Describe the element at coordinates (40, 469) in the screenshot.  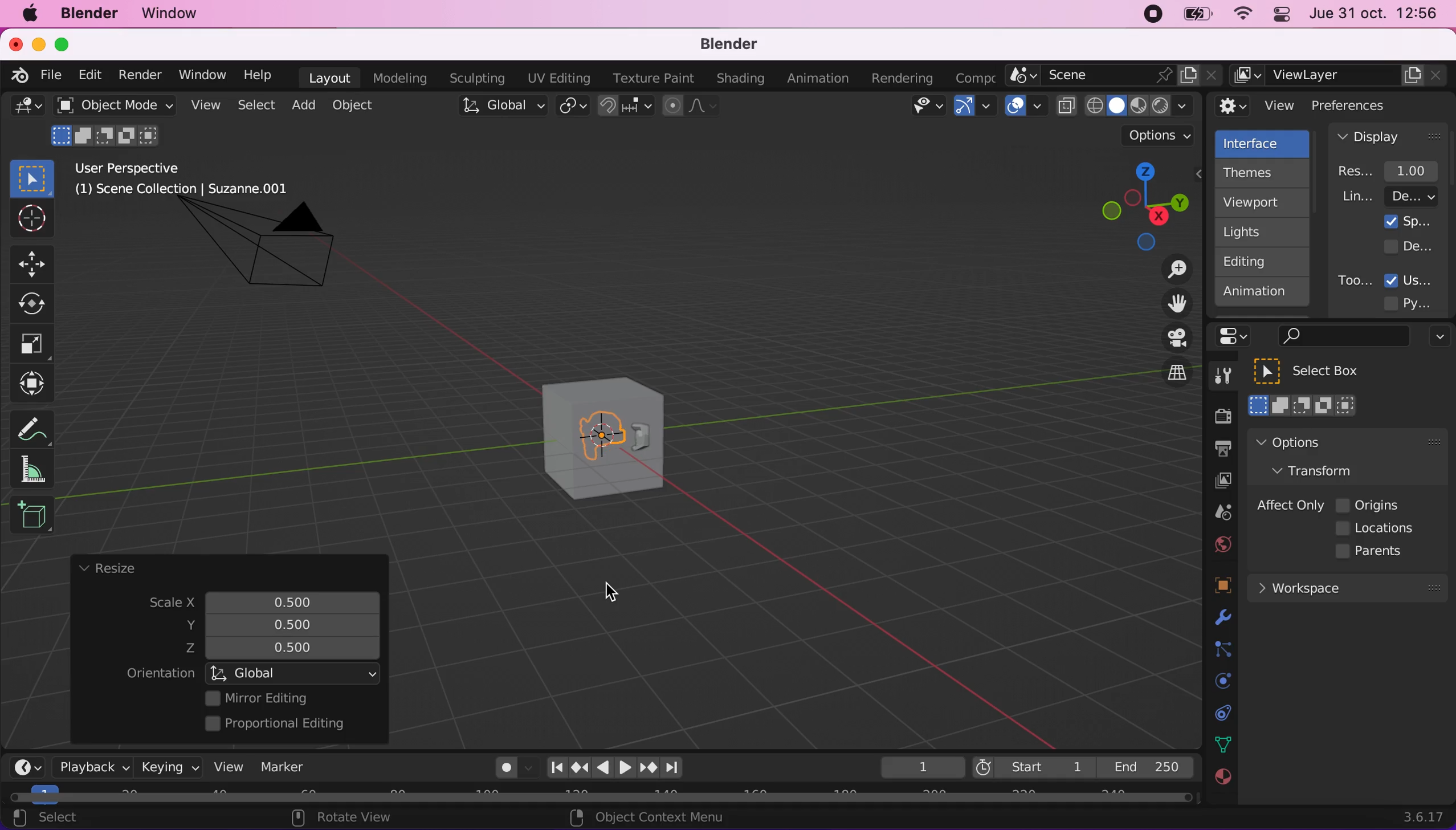
I see `measure` at that location.